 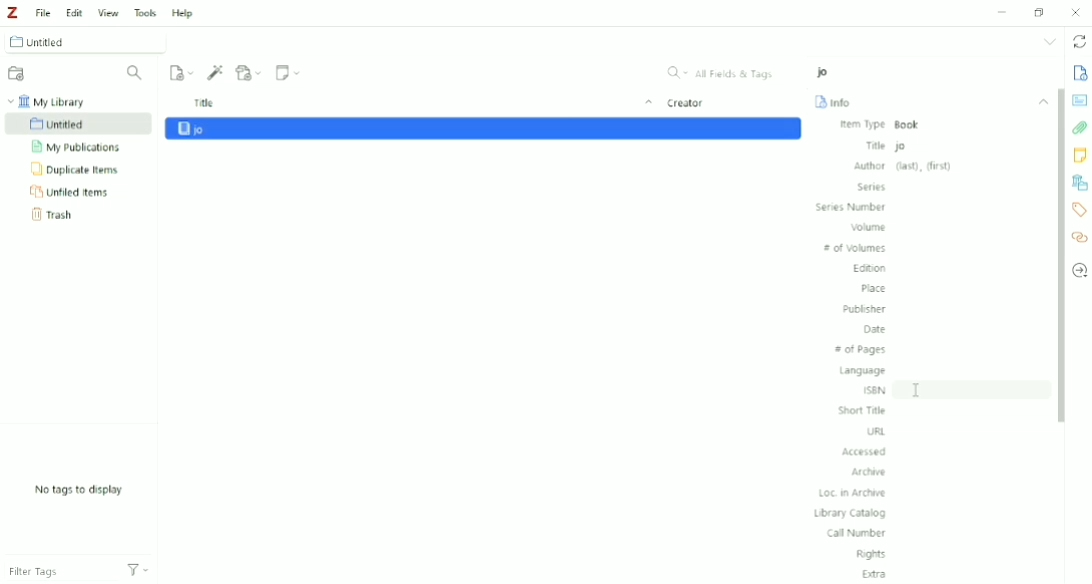 I want to click on Untitled, so click(x=83, y=41).